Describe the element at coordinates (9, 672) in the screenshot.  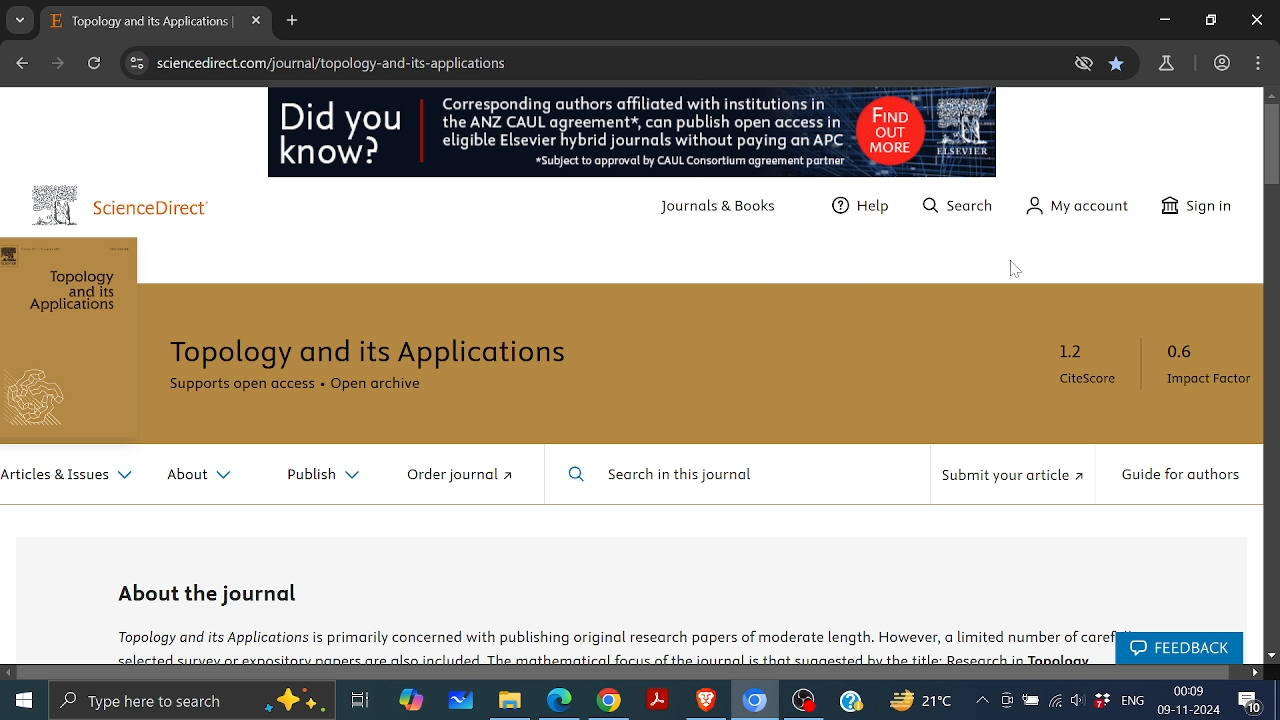
I see `Move left` at that location.